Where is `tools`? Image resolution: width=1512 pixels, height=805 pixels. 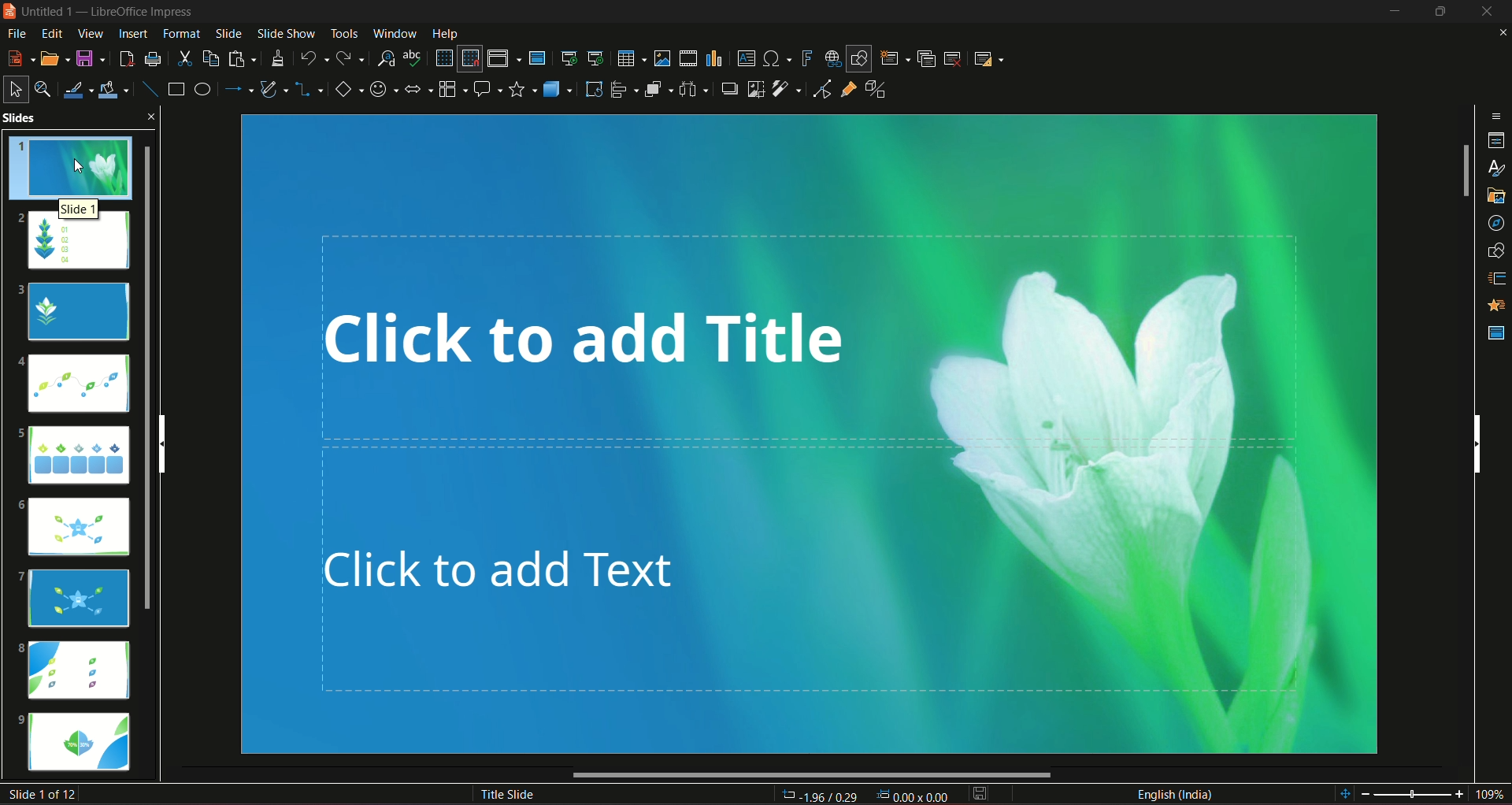 tools is located at coordinates (342, 32).